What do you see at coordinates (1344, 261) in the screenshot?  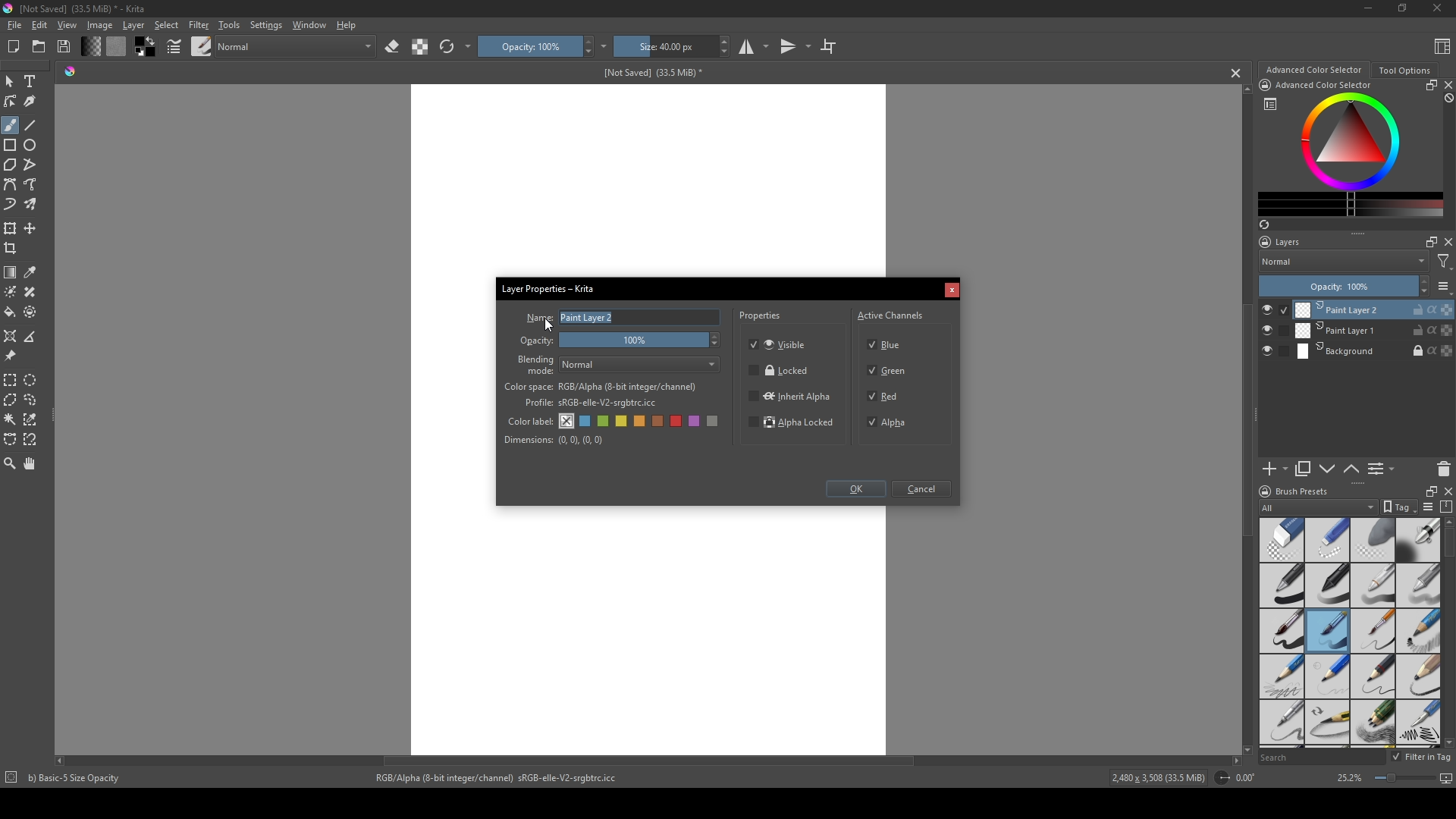 I see `Normal` at bounding box center [1344, 261].